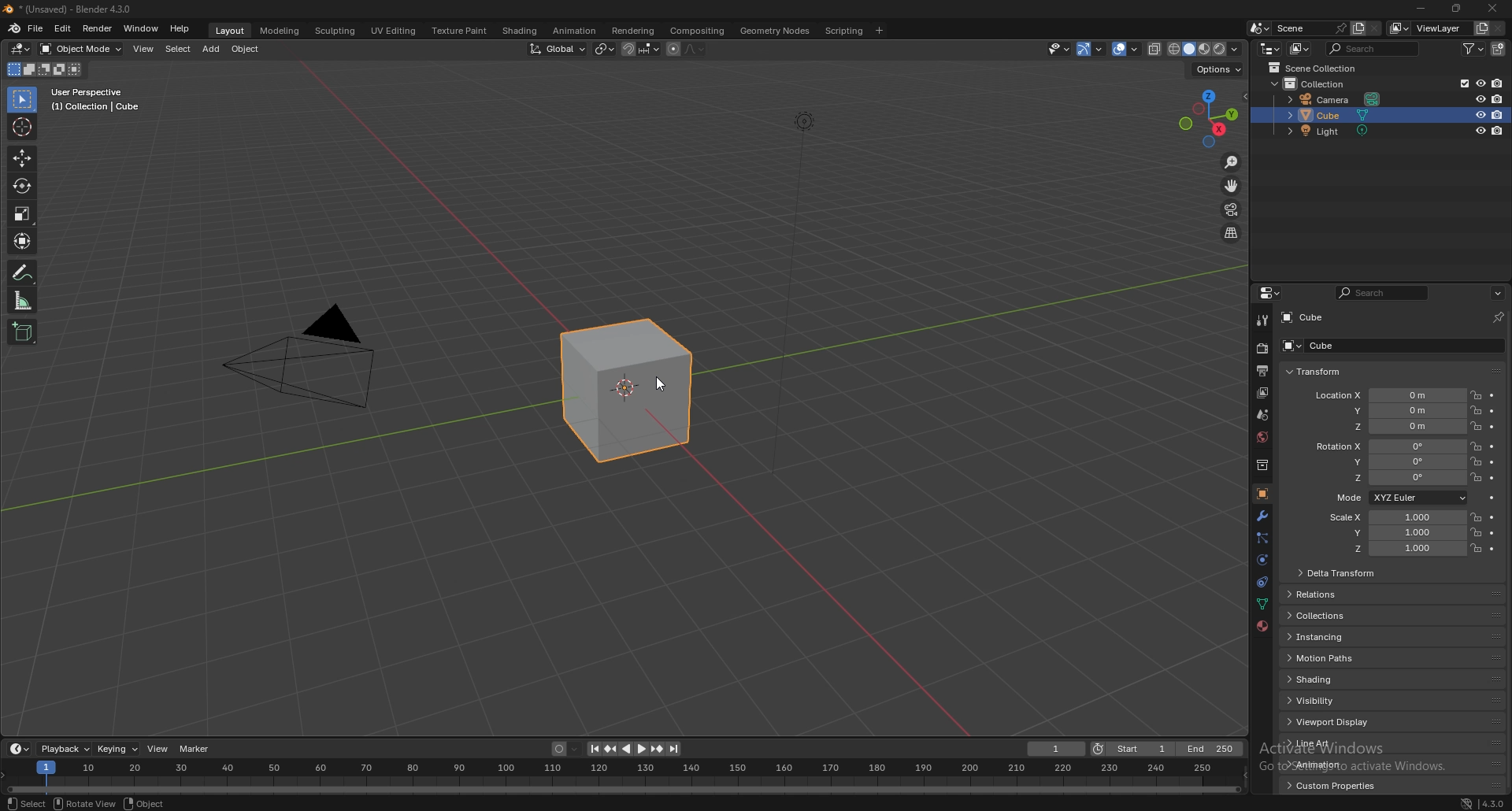  What do you see at coordinates (1313, 316) in the screenshot?
I see `cube` at bounding box center [1313, 316].